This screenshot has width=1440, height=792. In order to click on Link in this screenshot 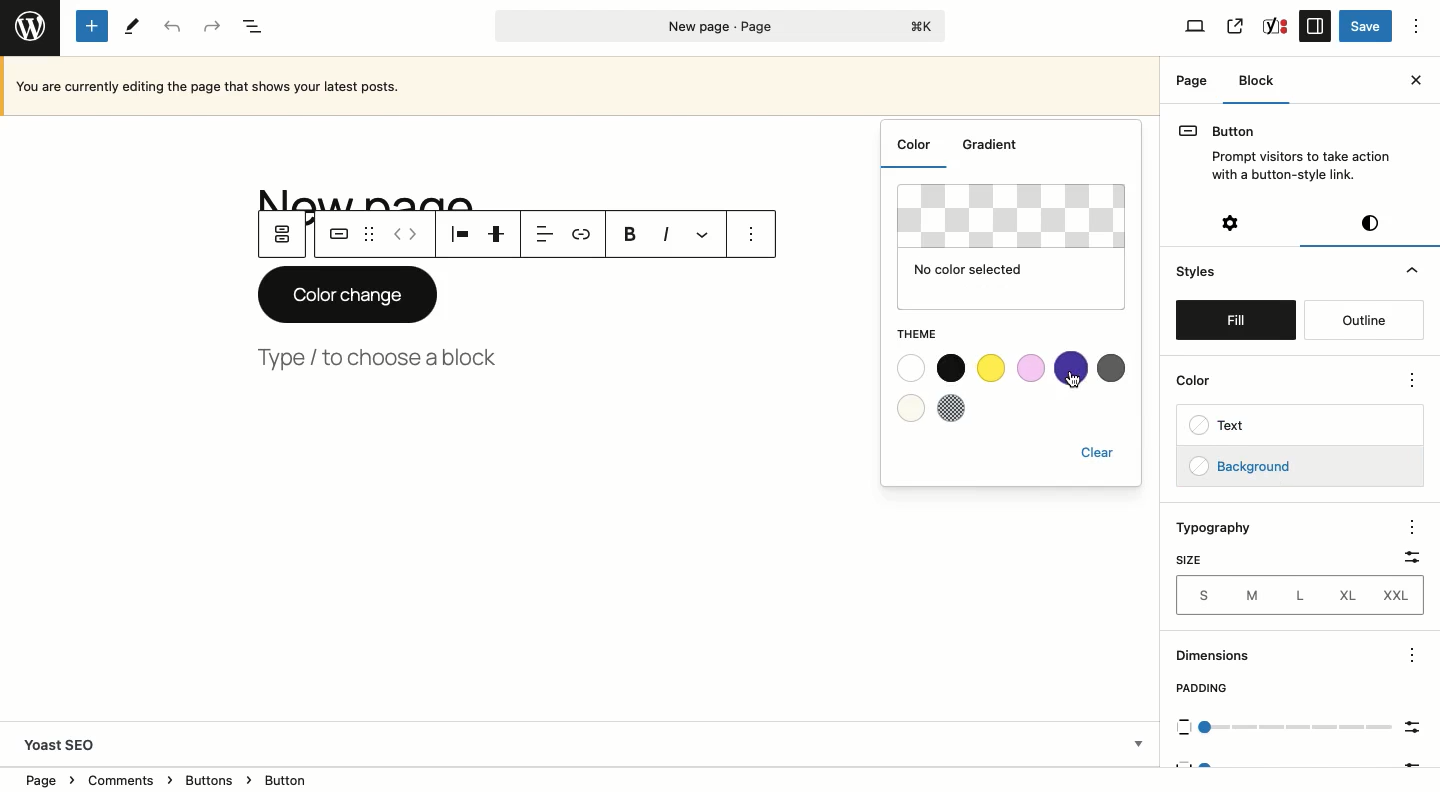, I will do `click(581, 234)`.